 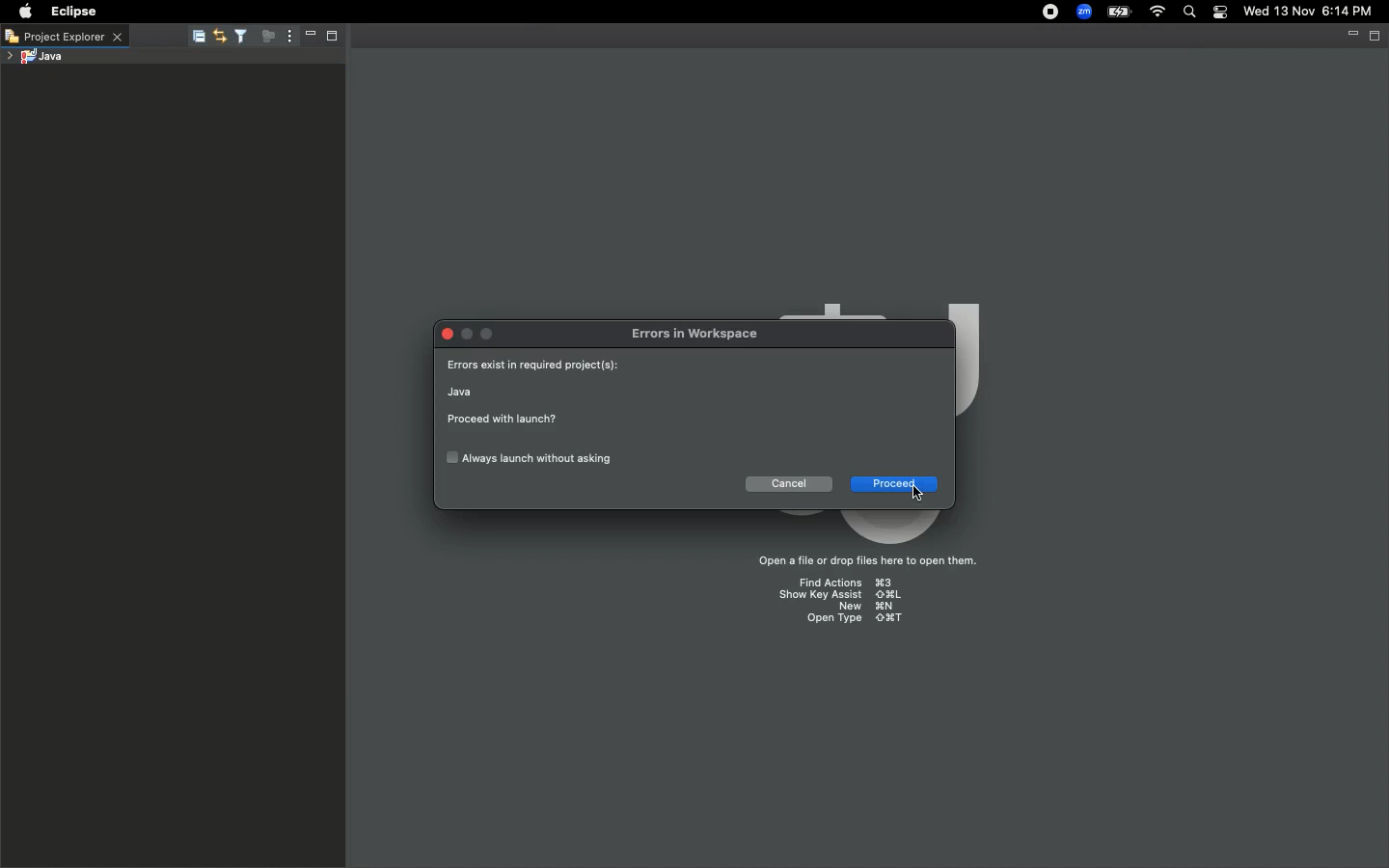 I want to click on Always launch without asking, so click(x=529, y=458).